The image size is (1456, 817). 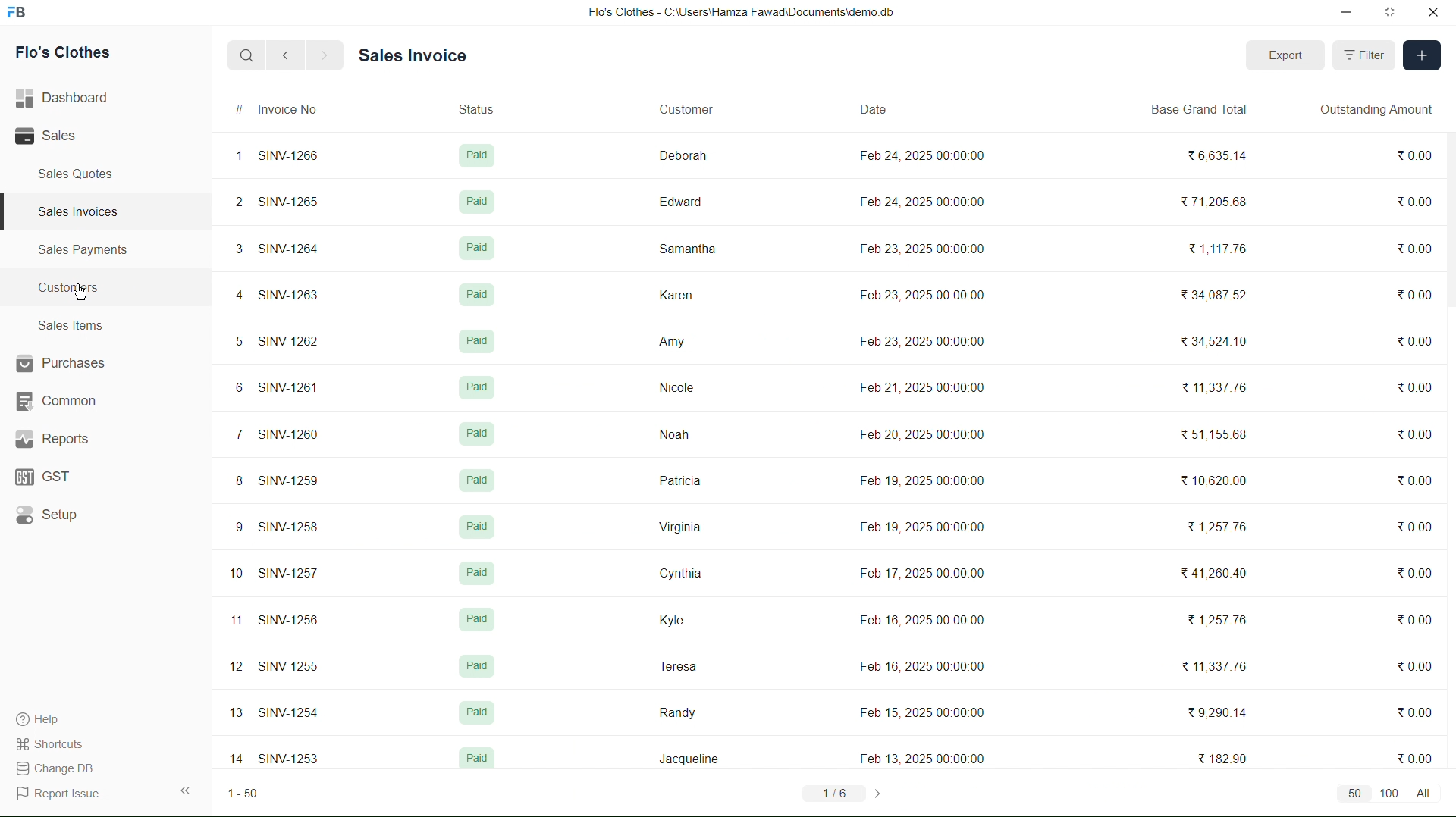 I want to click on Feb 20, 2025 00:00:00, so click(x=928, y=434).